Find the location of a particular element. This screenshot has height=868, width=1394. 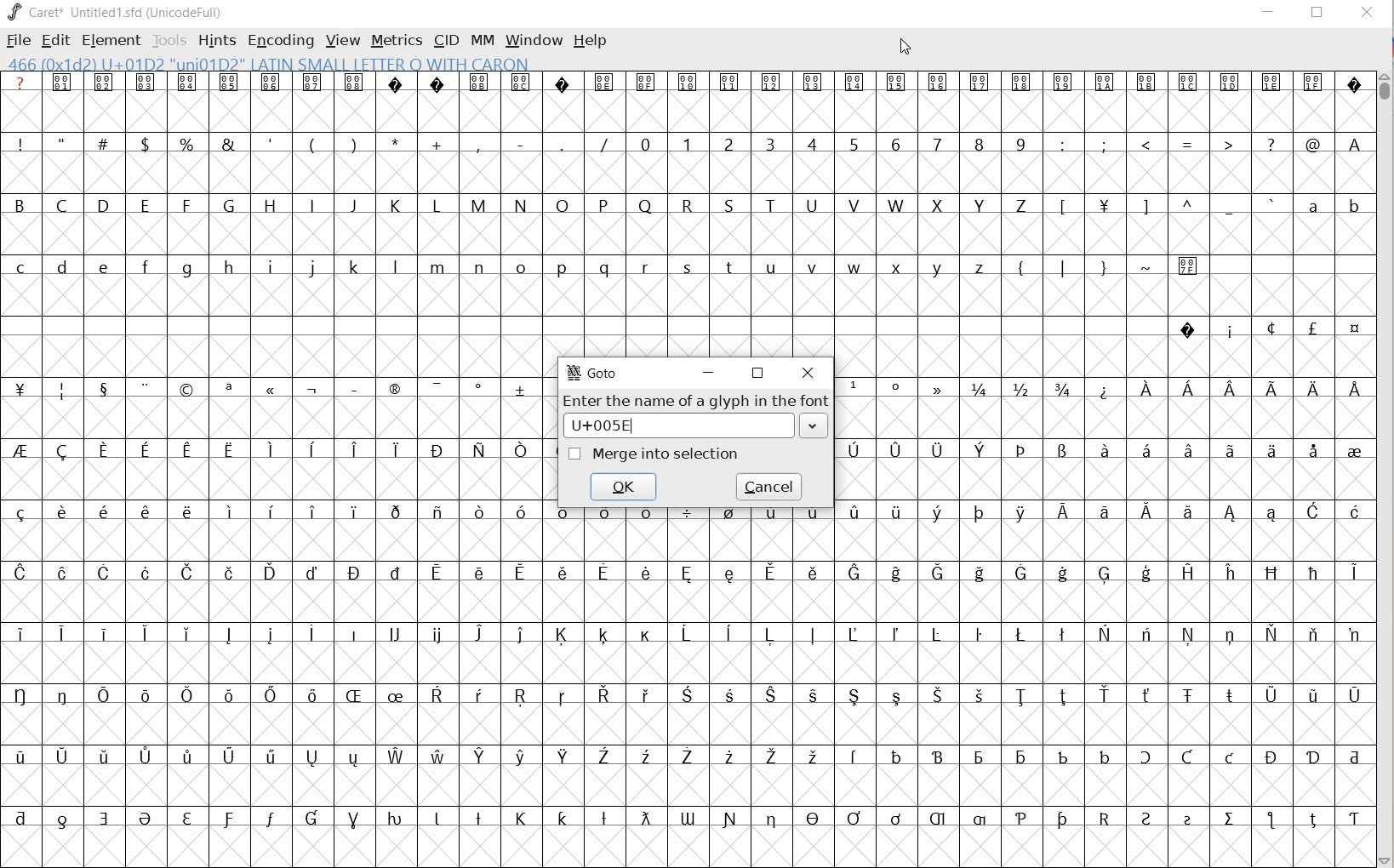

cancel is located at coordinates (768, 490).